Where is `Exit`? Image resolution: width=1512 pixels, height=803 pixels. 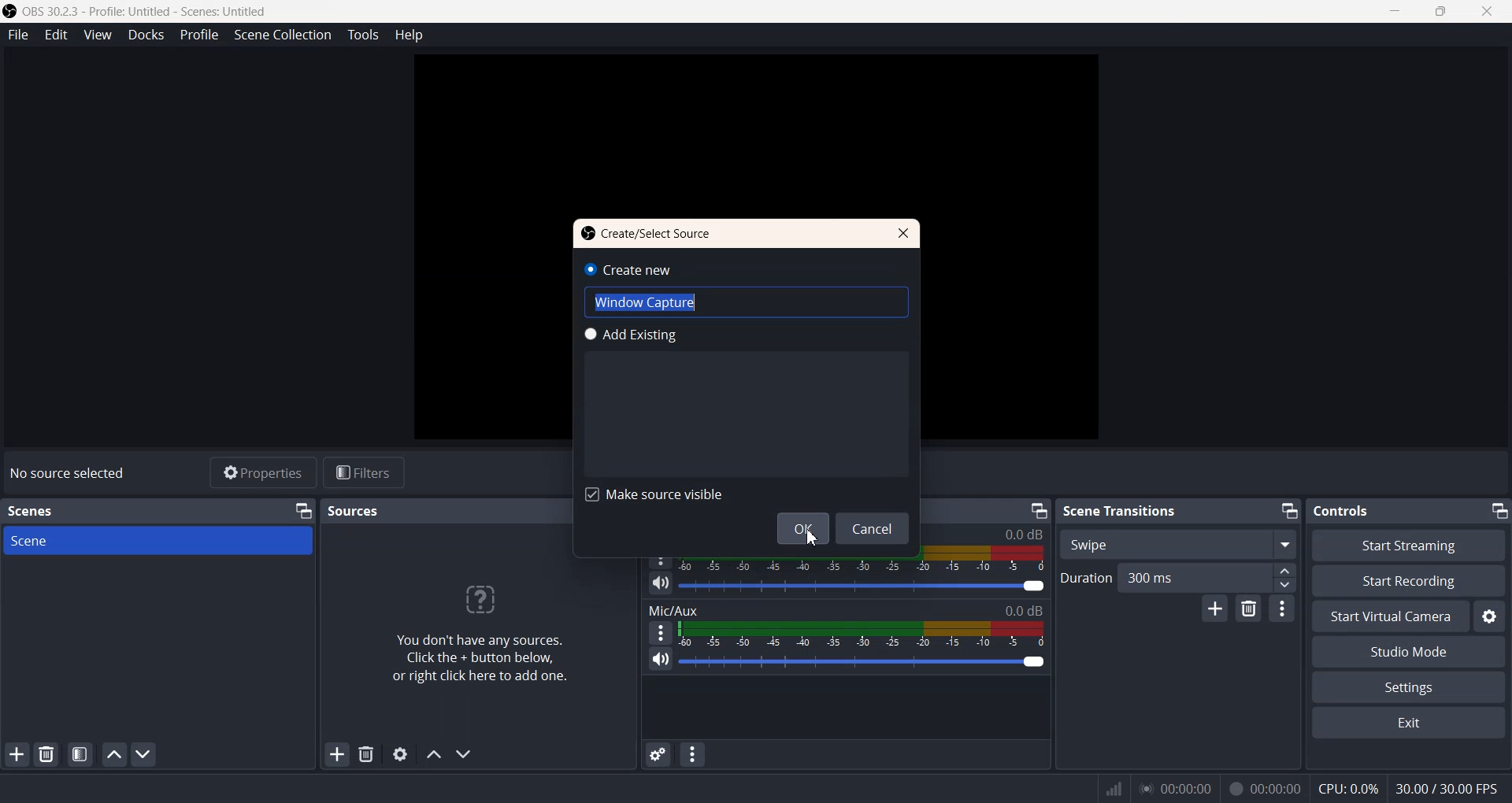 Exit is located at coordinates (1412, 724).